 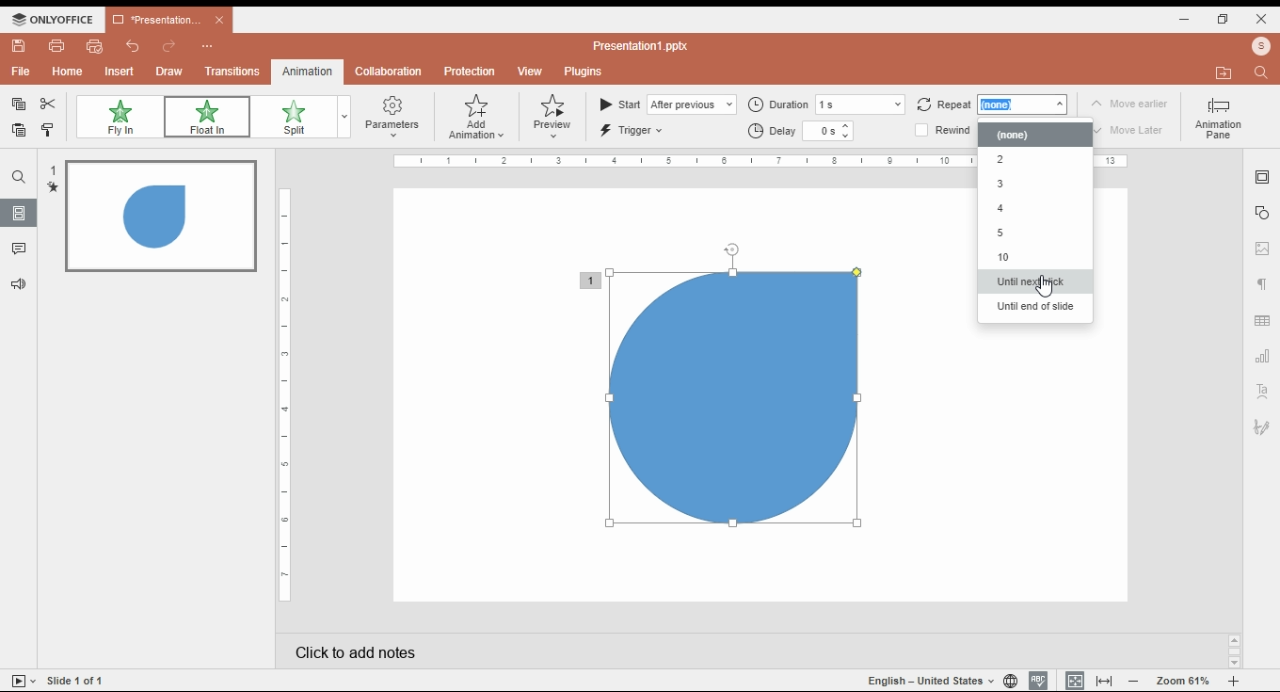 What do you see at coordinates (24, 680) in the screenshot?
I see `start slide show` at bounding box center [24, 680].